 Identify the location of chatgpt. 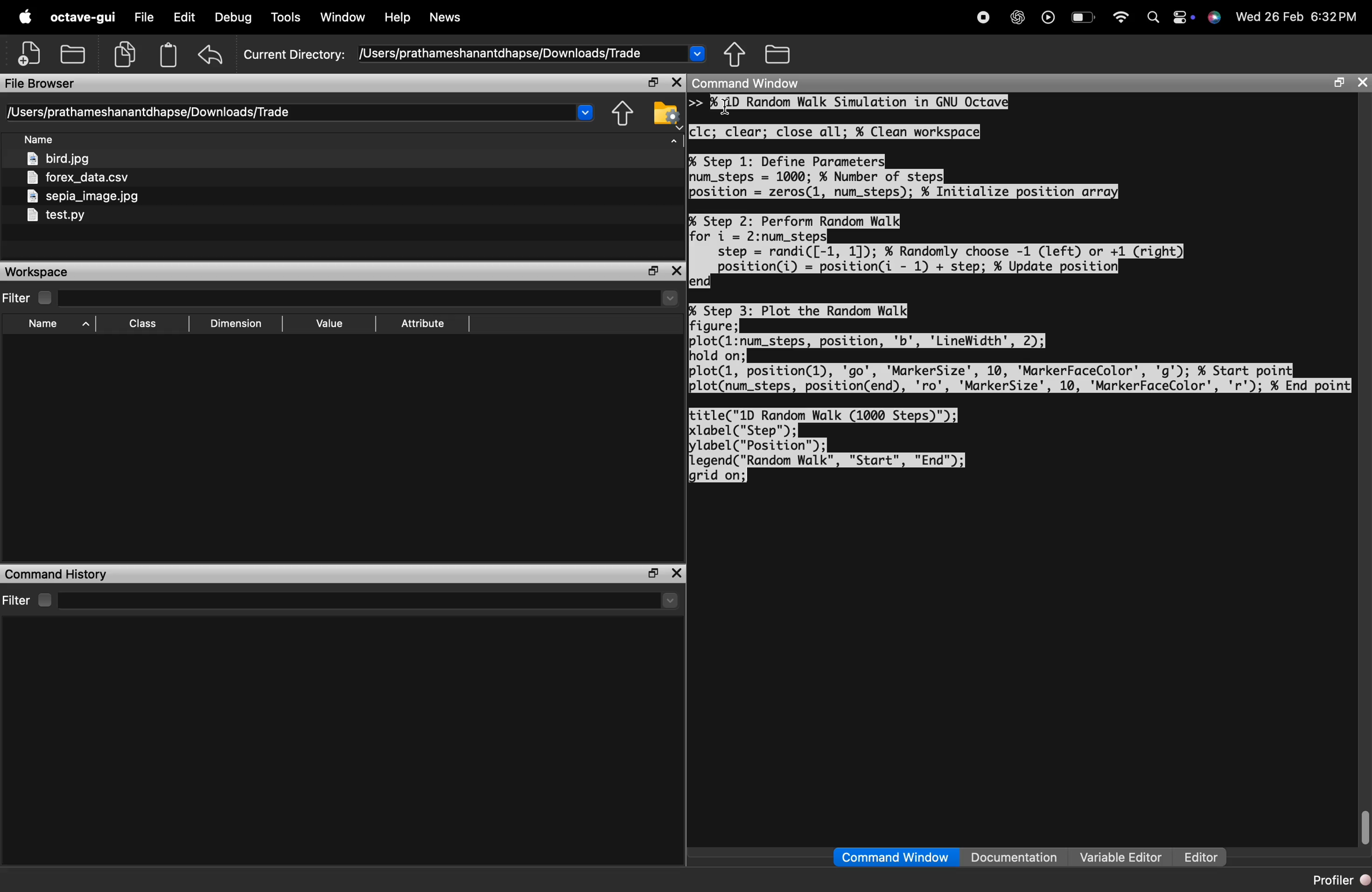
(1017, 17).